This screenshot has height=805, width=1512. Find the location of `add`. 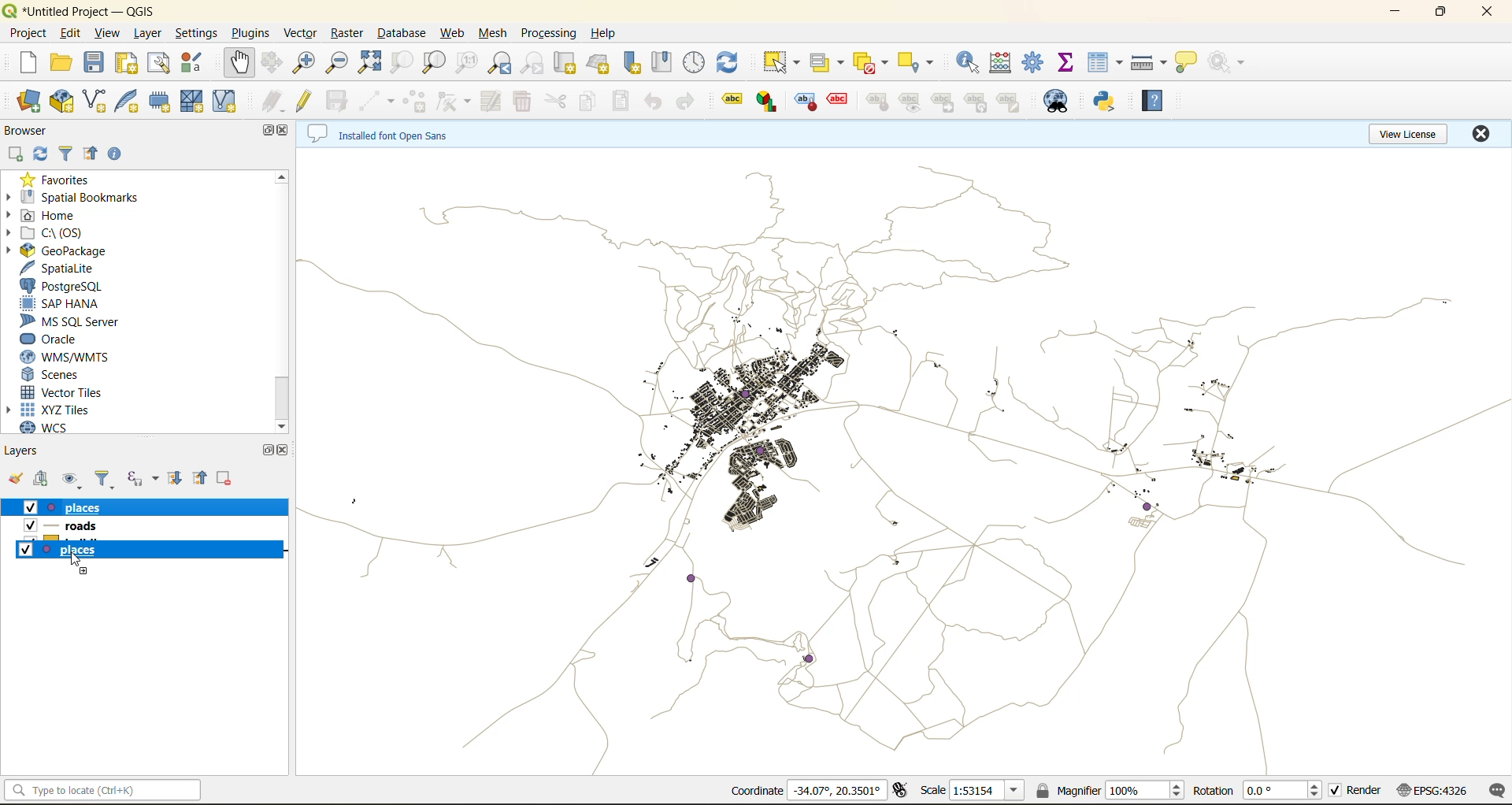

add is located at coordinates (15, 154).